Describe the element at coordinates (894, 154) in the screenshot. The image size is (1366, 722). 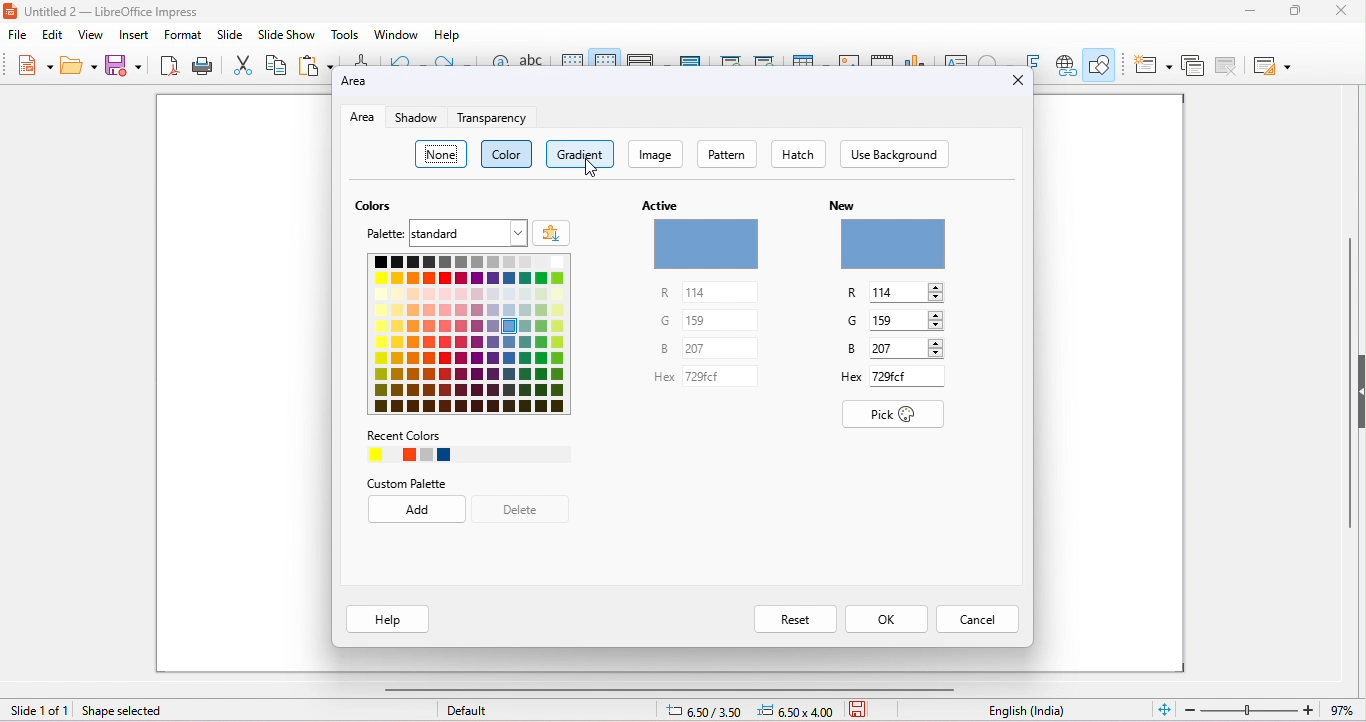
I see `use background` at that location.